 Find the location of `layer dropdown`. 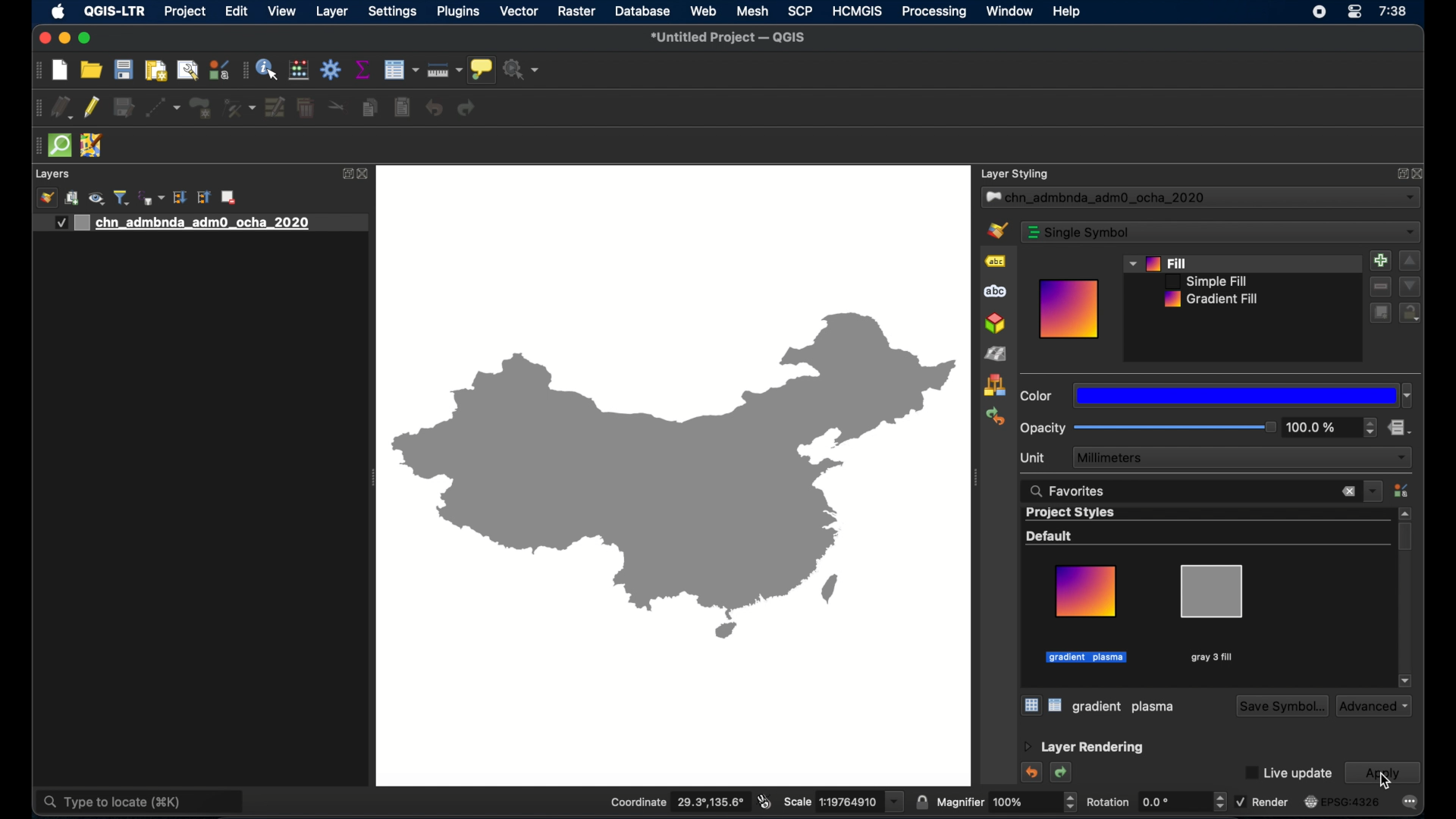

layer dropdown is located at coordinates (1200, 198).